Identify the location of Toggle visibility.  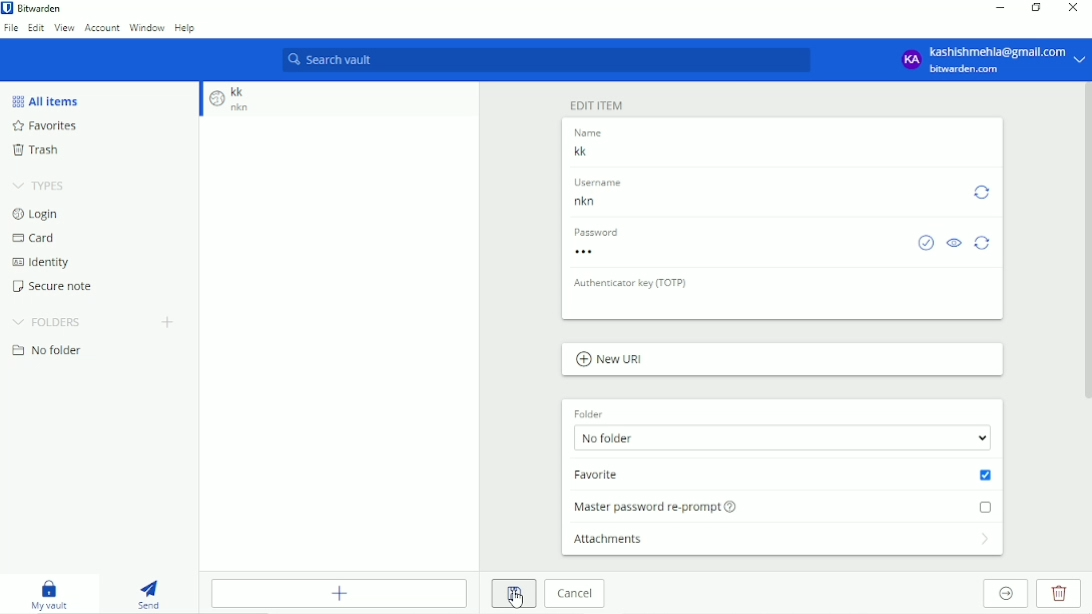
(956, 243).